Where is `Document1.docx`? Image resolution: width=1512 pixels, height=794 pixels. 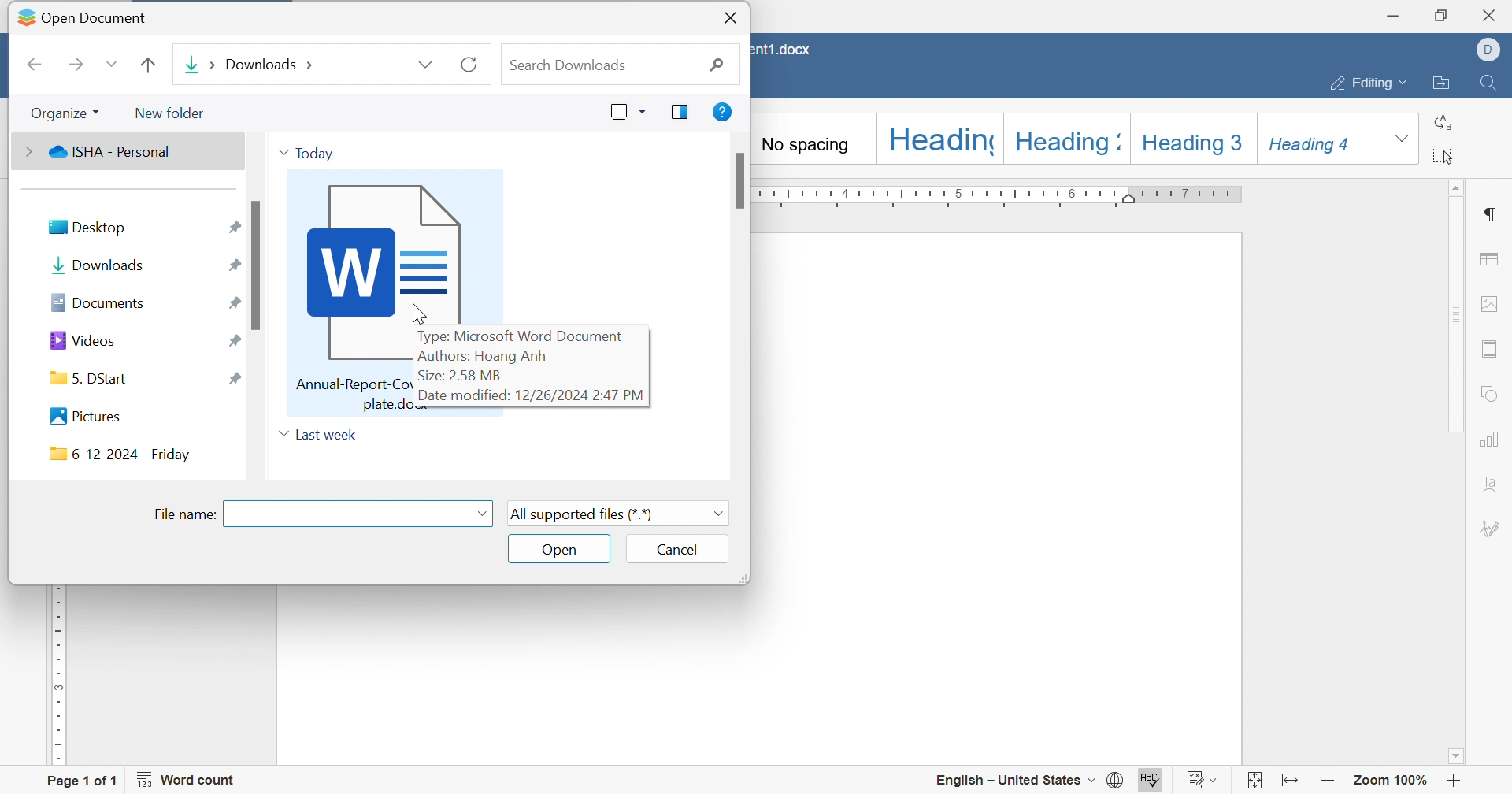
Document1.docx is located at coordinates (784, 50).